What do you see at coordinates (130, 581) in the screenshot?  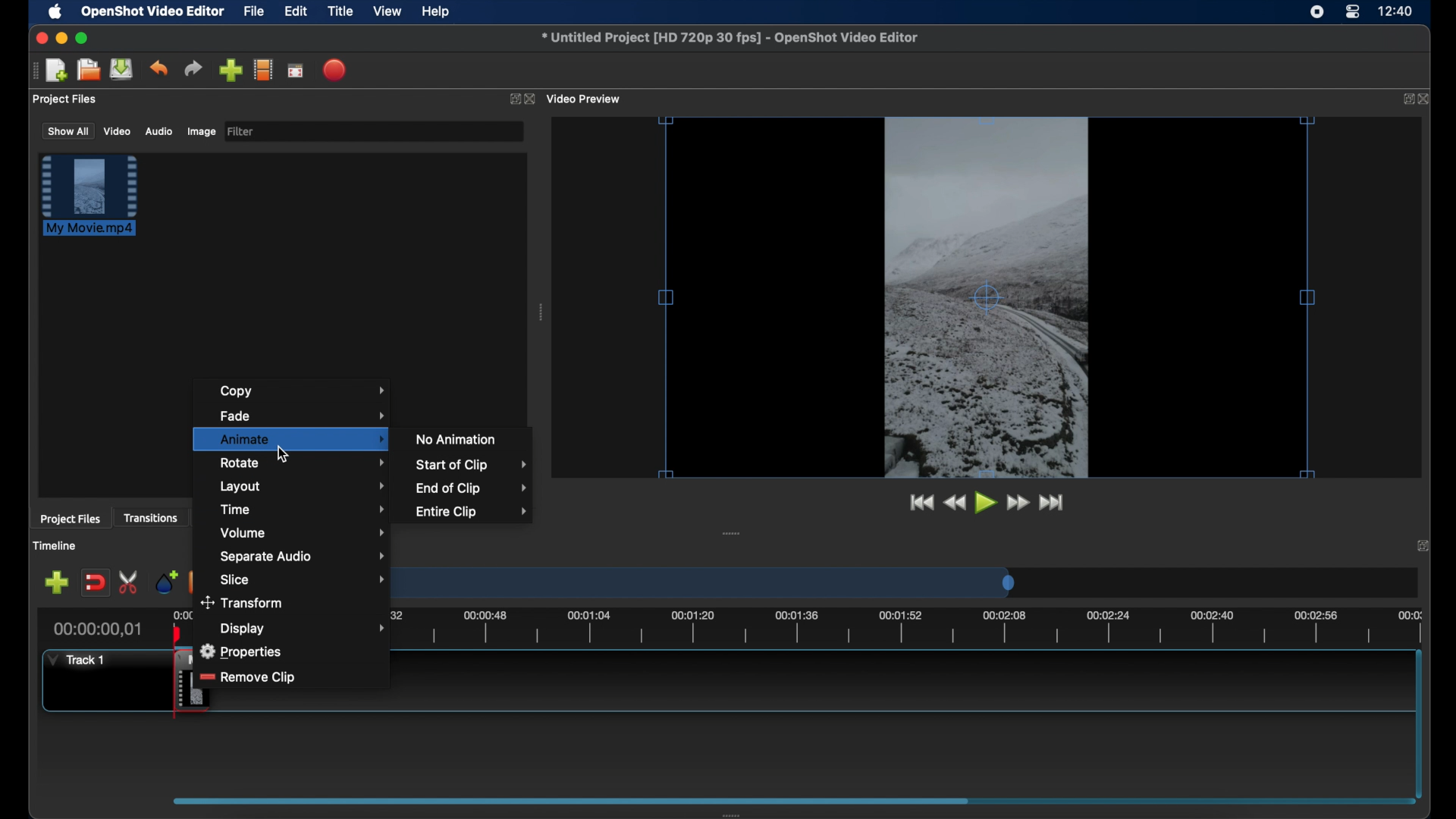 I see `enable razor` at bounding box center [130, 581].